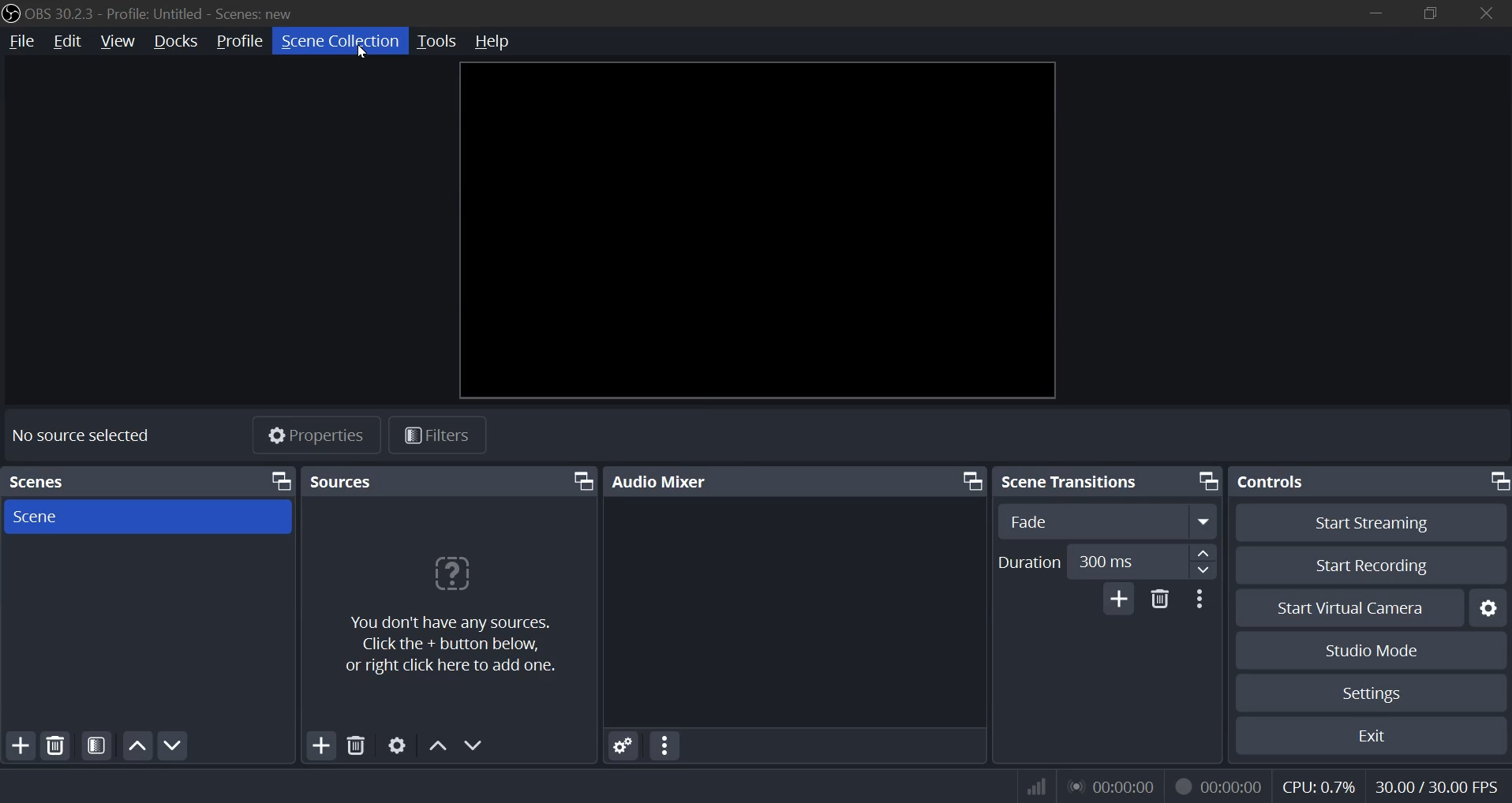 This screenshot has height=803, width=1512. Describe the element at coordinates (1350, 607) in the screenshot. I see `start virtual camera` at that location.